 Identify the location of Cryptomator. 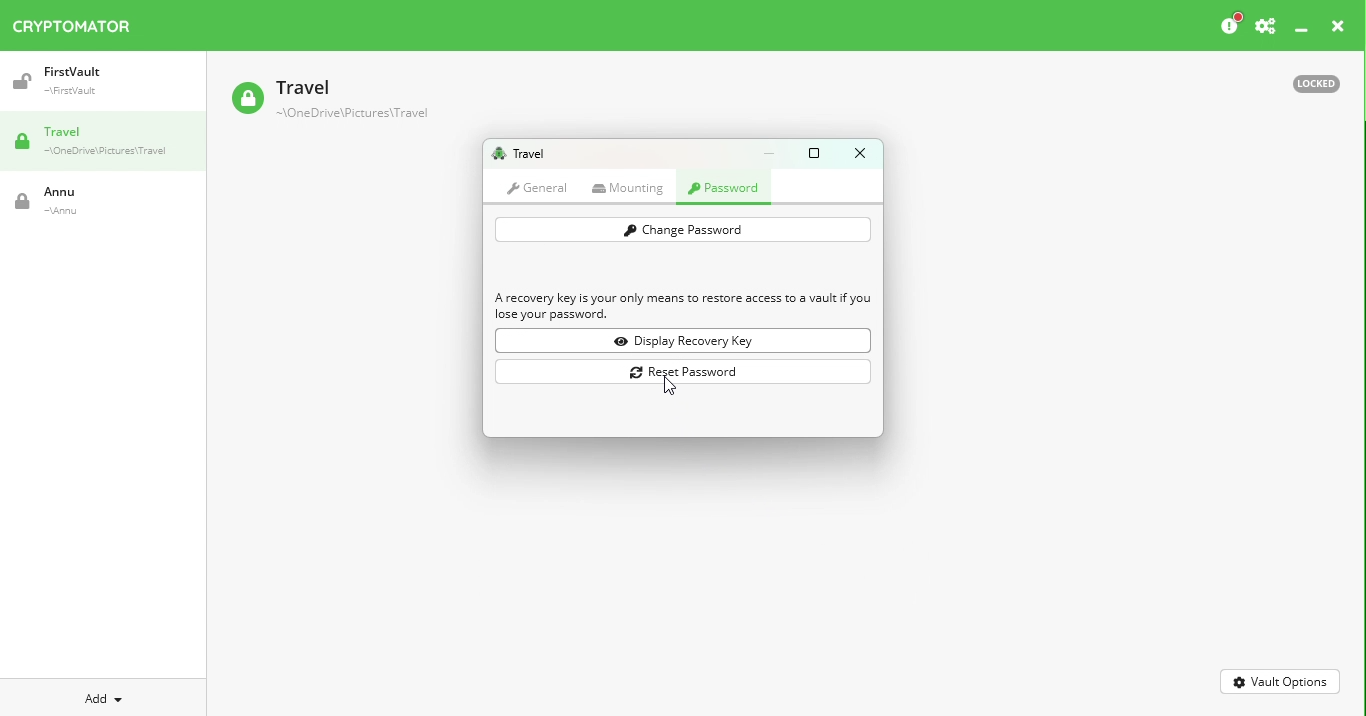
(72, 22).